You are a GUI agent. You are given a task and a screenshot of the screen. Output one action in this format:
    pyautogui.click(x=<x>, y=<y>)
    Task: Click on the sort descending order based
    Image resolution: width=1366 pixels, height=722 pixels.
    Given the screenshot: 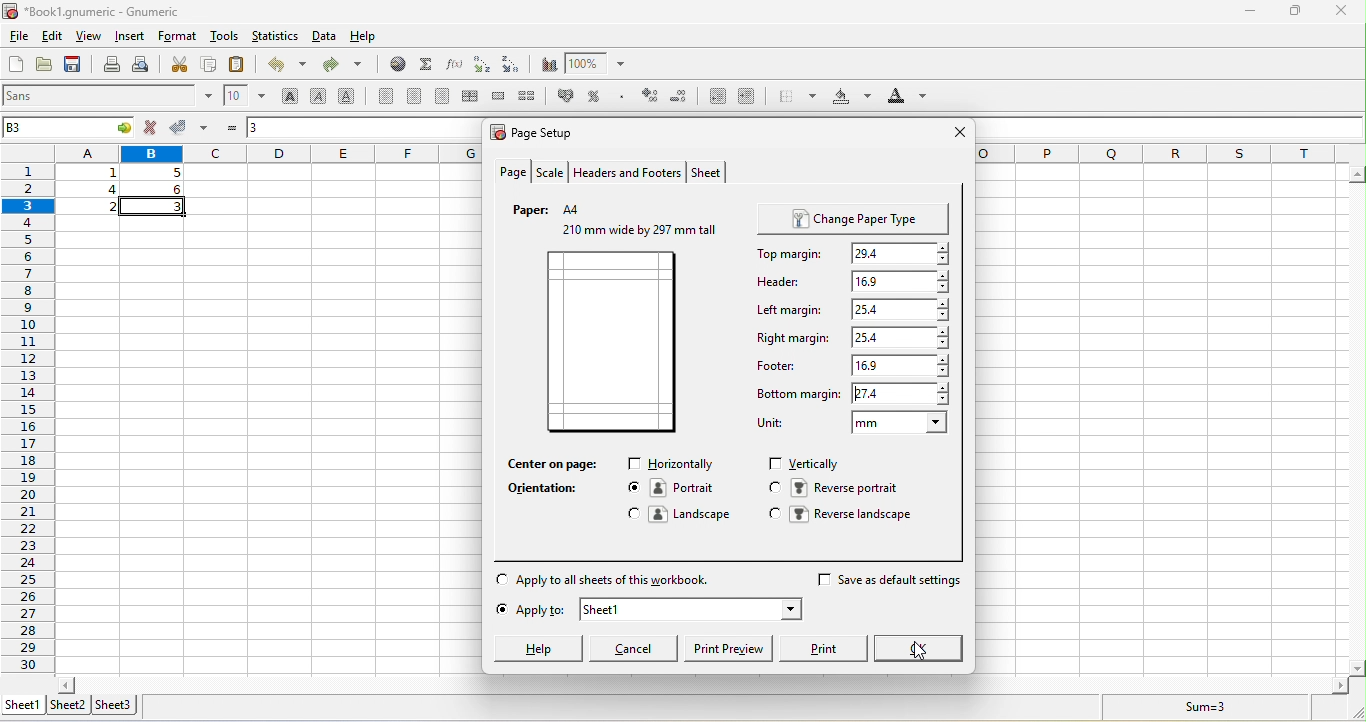 What is the action you would take?
    pyautogui.click(x=514, y=64)
    